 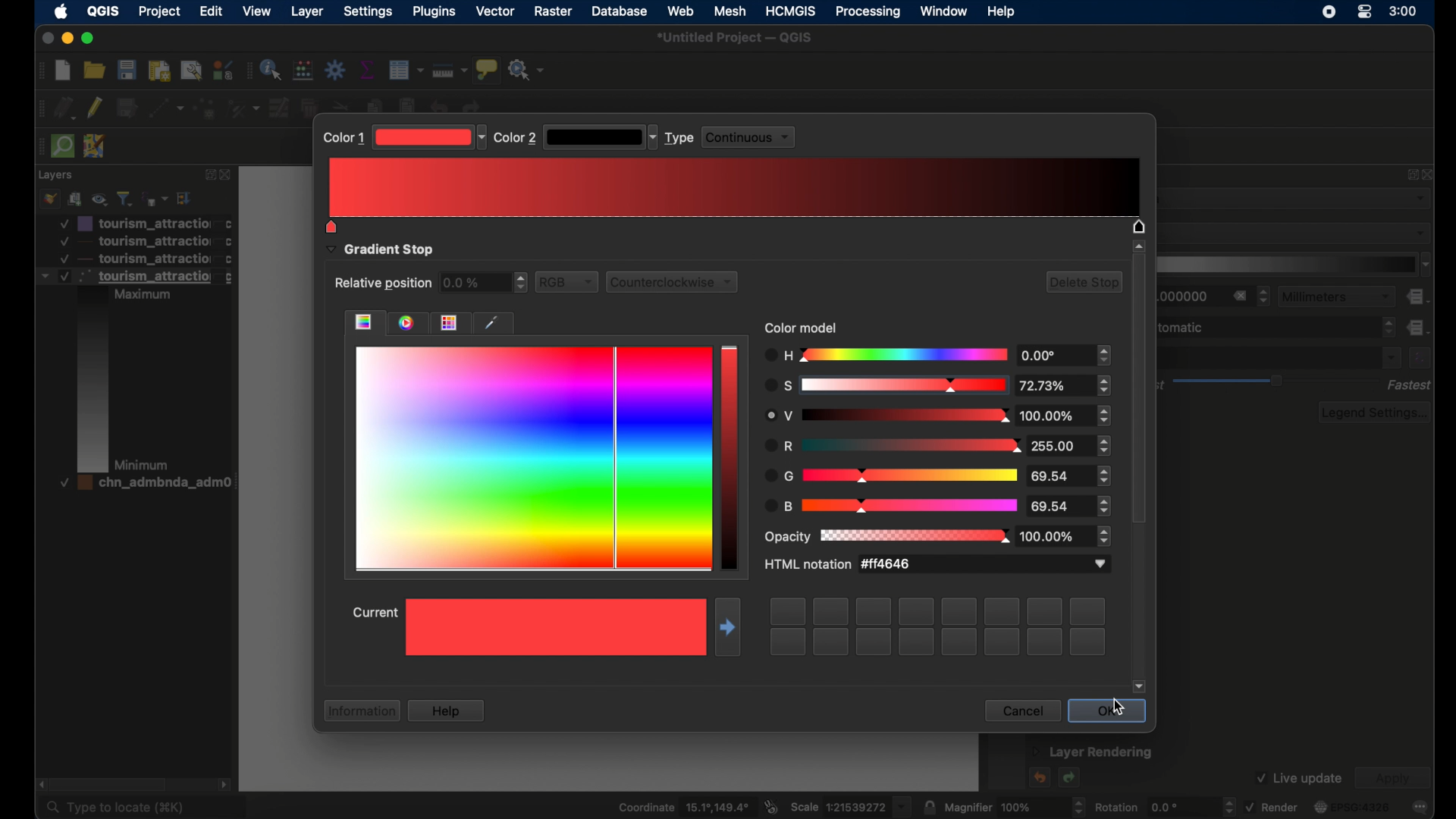 I want to click on undo, so click(x=1038, y=777).